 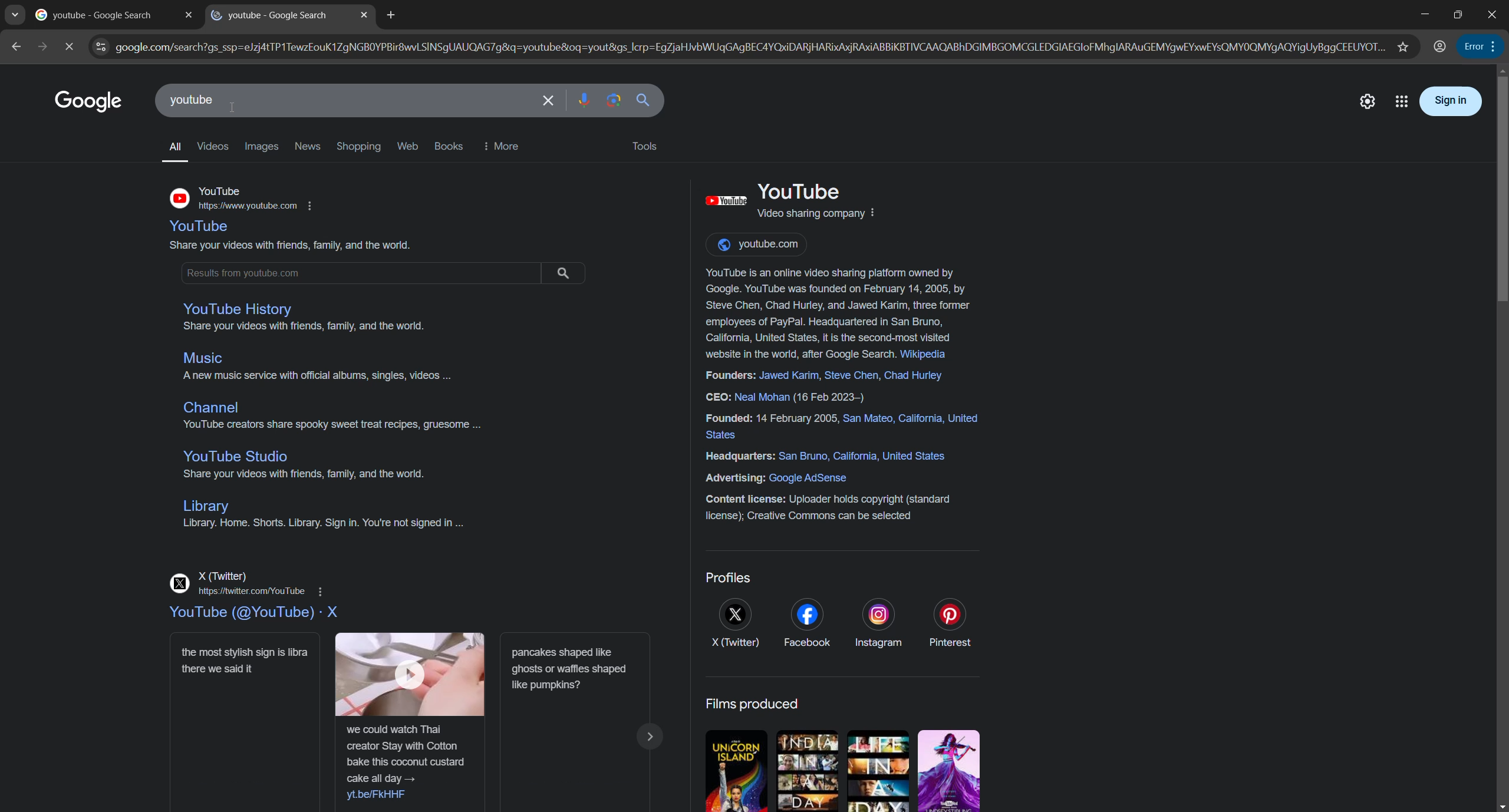 I want to click on settings, so click(x=1366, y=102).